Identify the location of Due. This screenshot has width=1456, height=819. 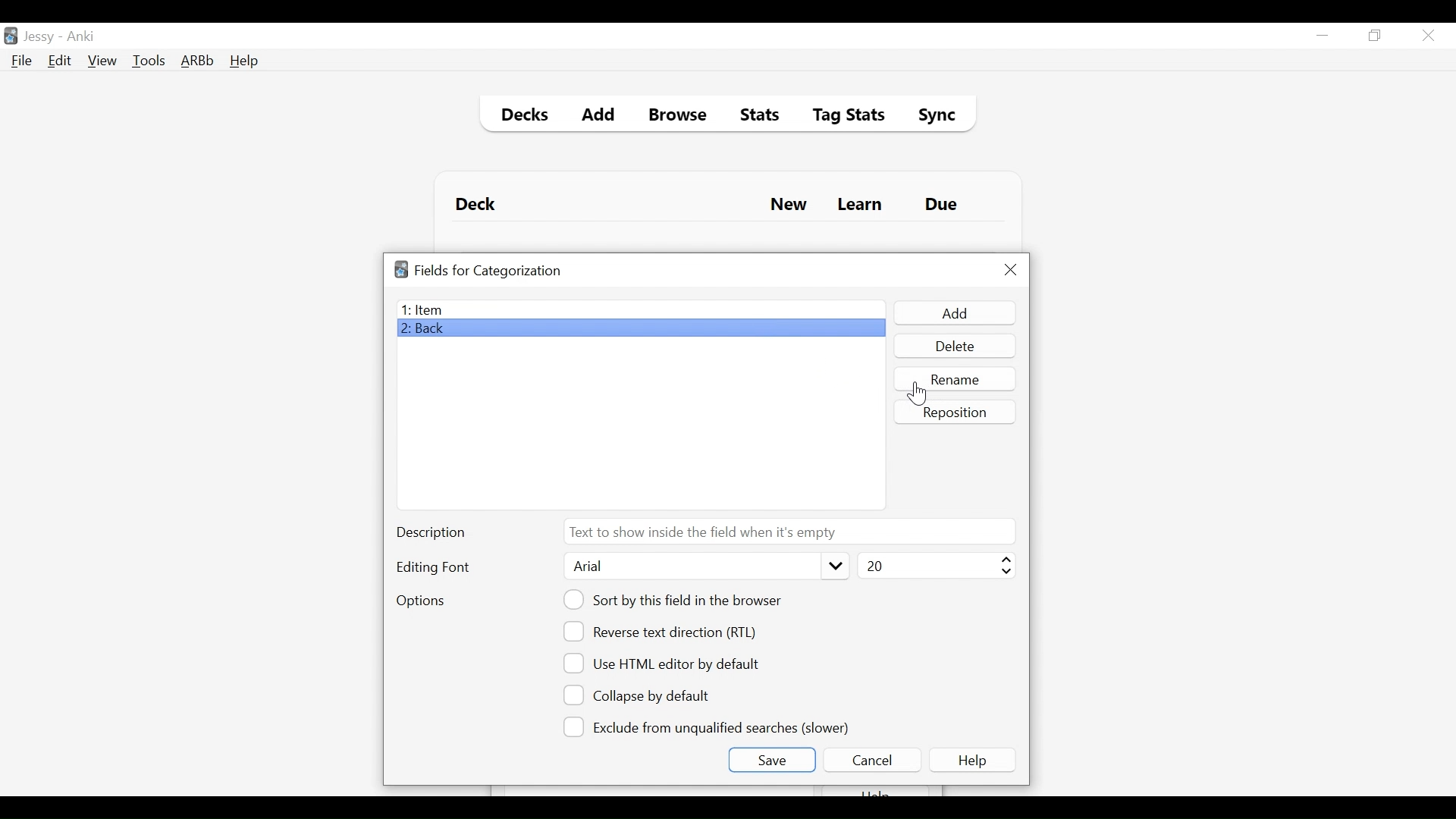
(943, 205).